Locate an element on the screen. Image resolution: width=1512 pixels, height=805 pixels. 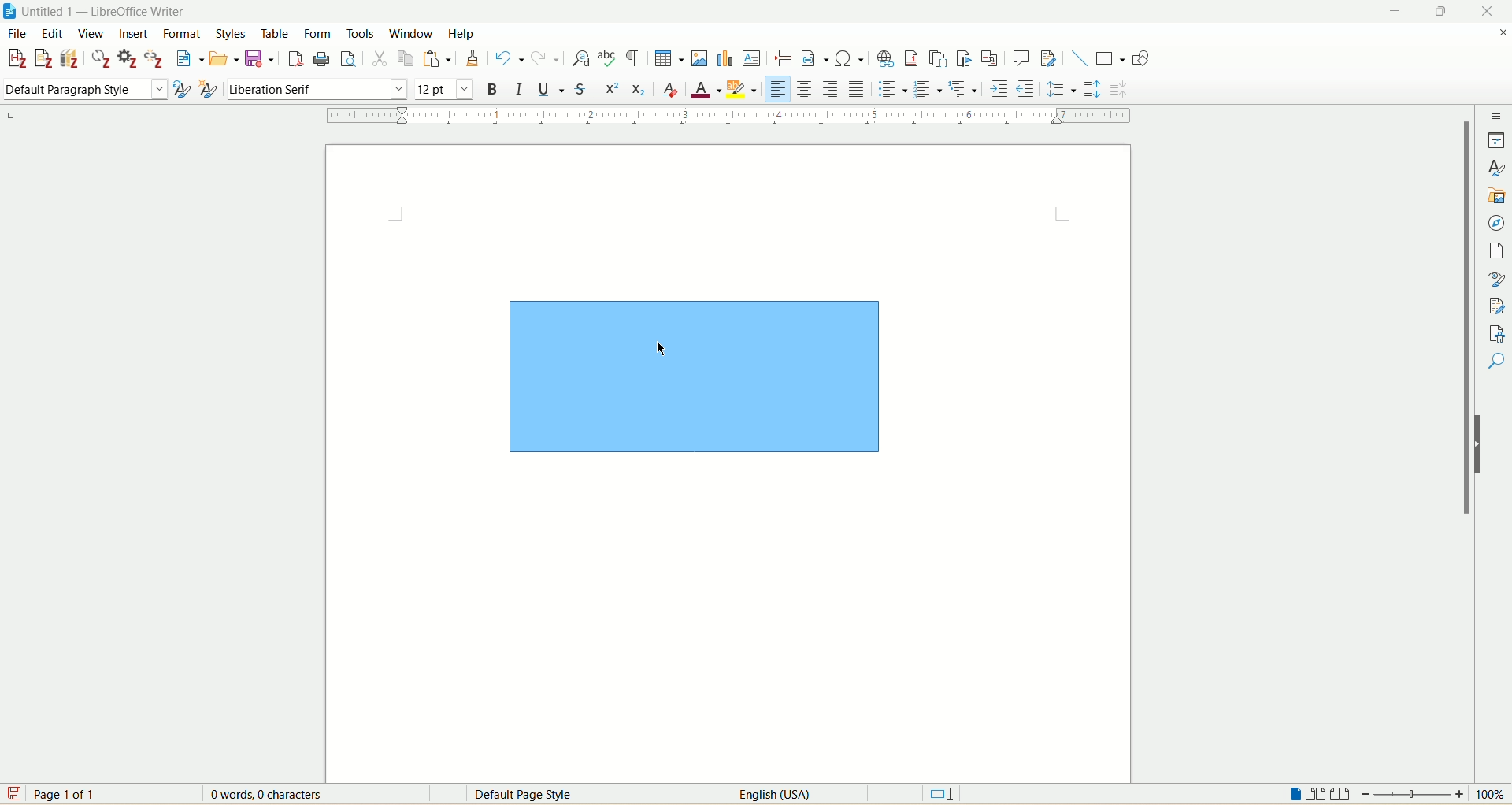
open is located at coordinates (221, 60).